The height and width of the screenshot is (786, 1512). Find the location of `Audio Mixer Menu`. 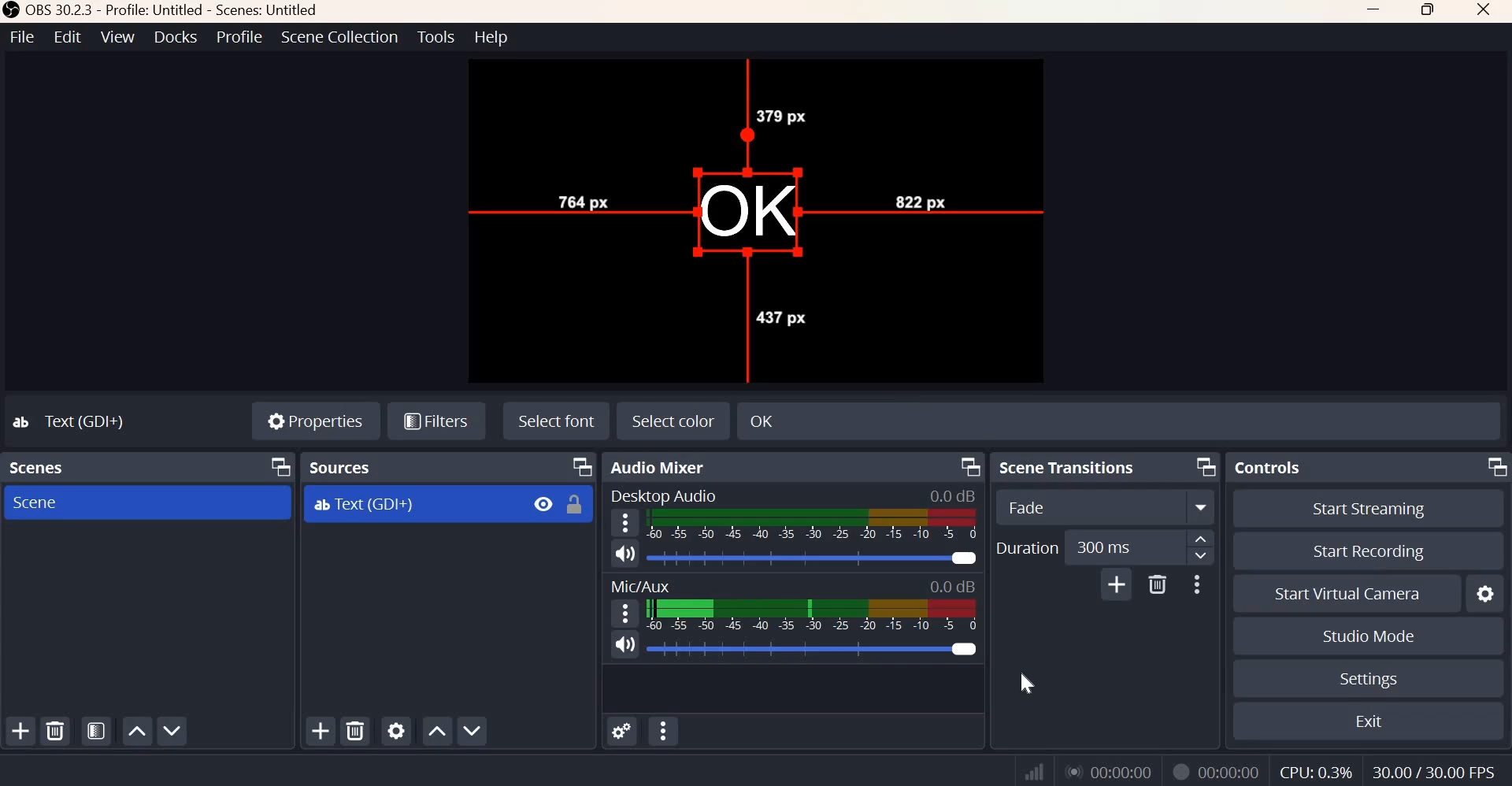

Audio Mixer Menu is located at coordinates (664, 730).